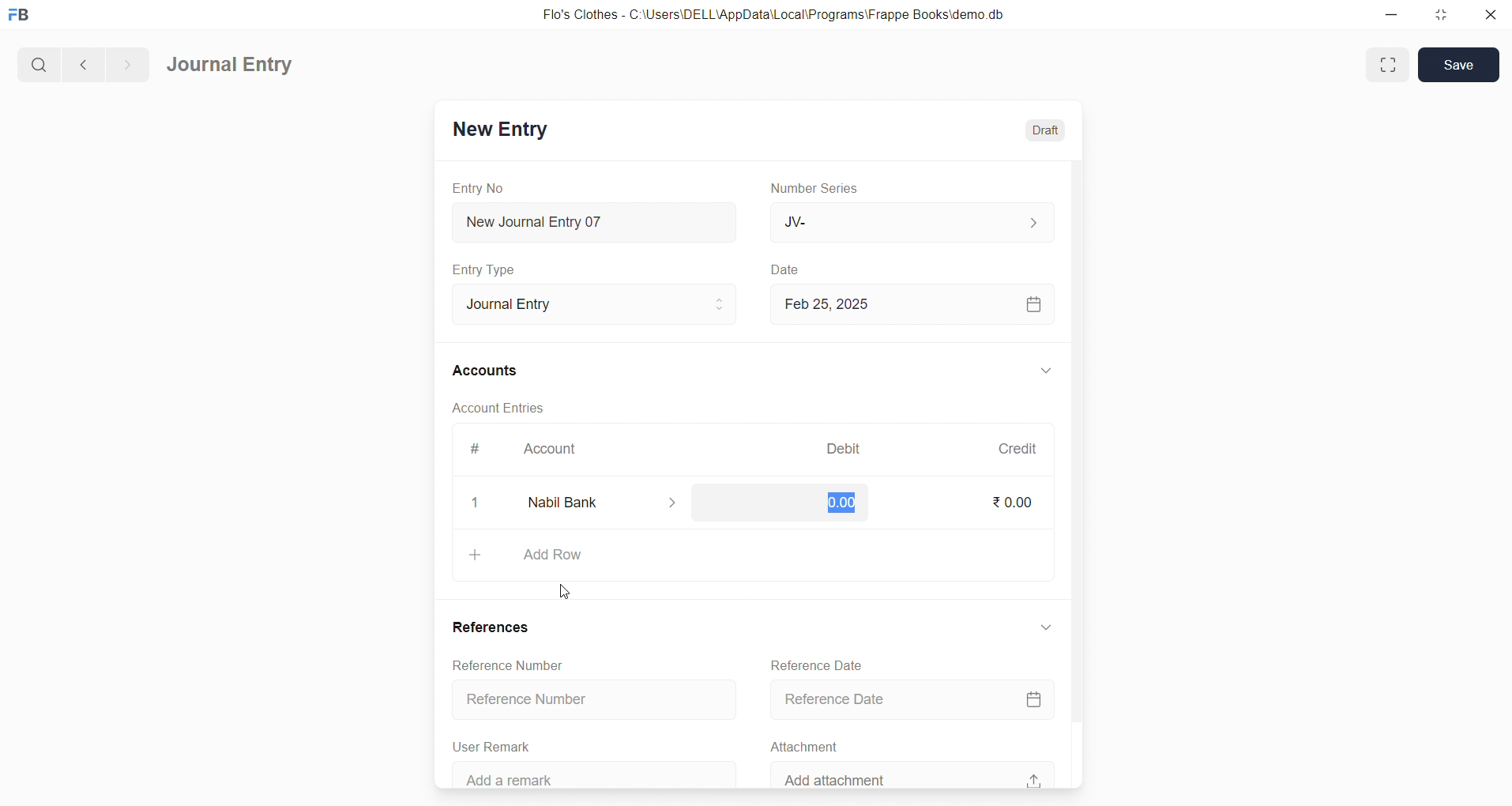  Describe the element at coordinates (754, 557) in the screenshot. I see `Add Row` at that location.